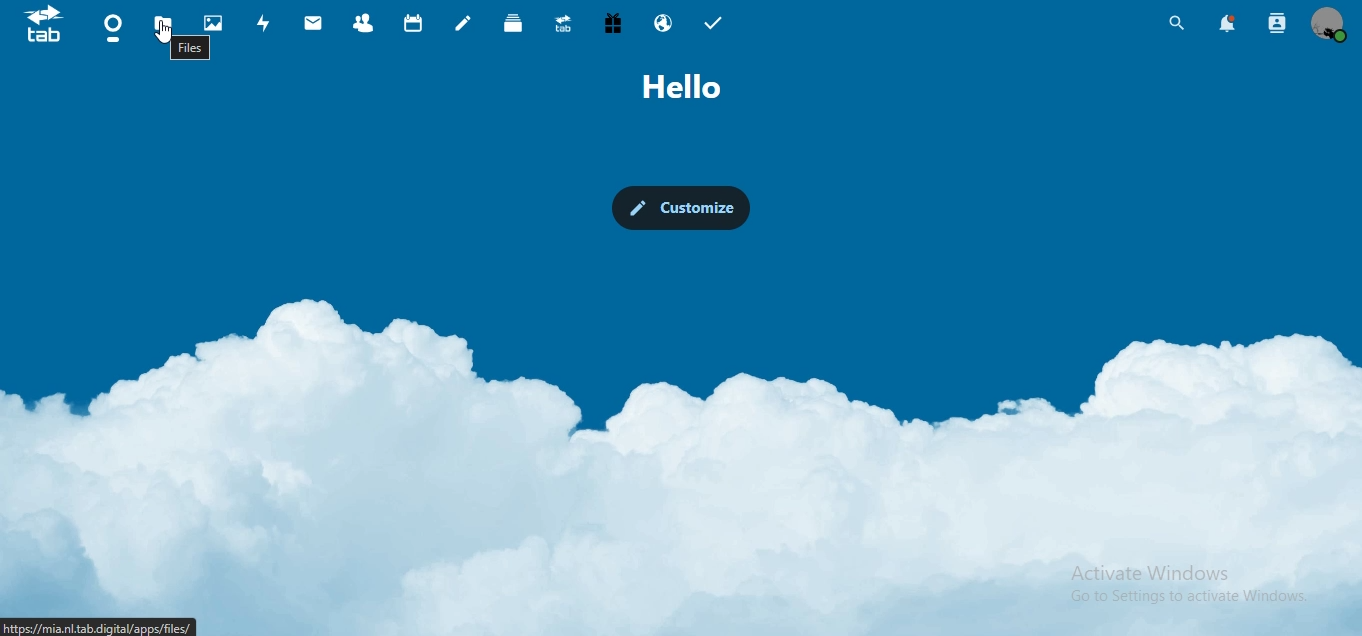 This screenshot has height=636, width=1362. I want to click on search, so click(1174, 24).